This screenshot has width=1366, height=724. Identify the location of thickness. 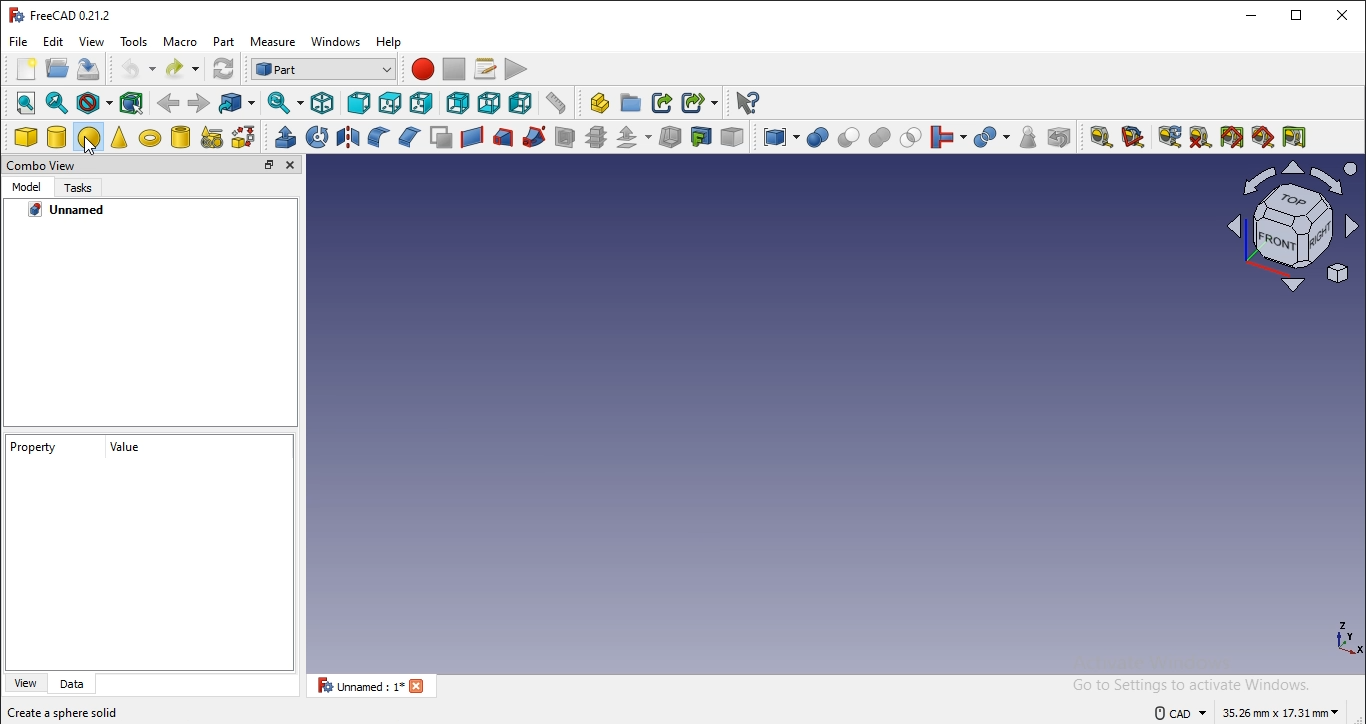
(669, 138).